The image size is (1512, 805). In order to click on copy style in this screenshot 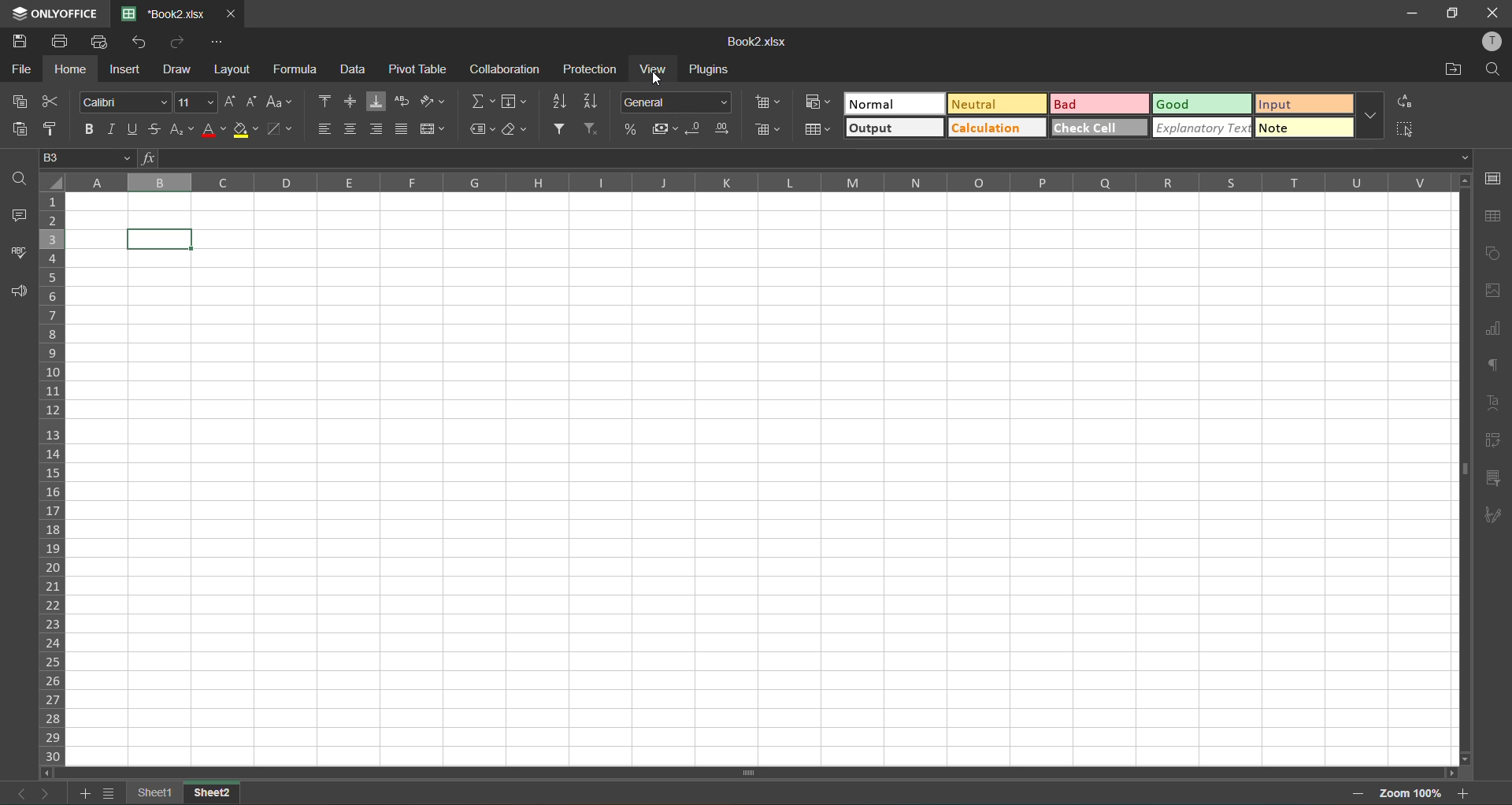, I will do `click(52, 129)`.